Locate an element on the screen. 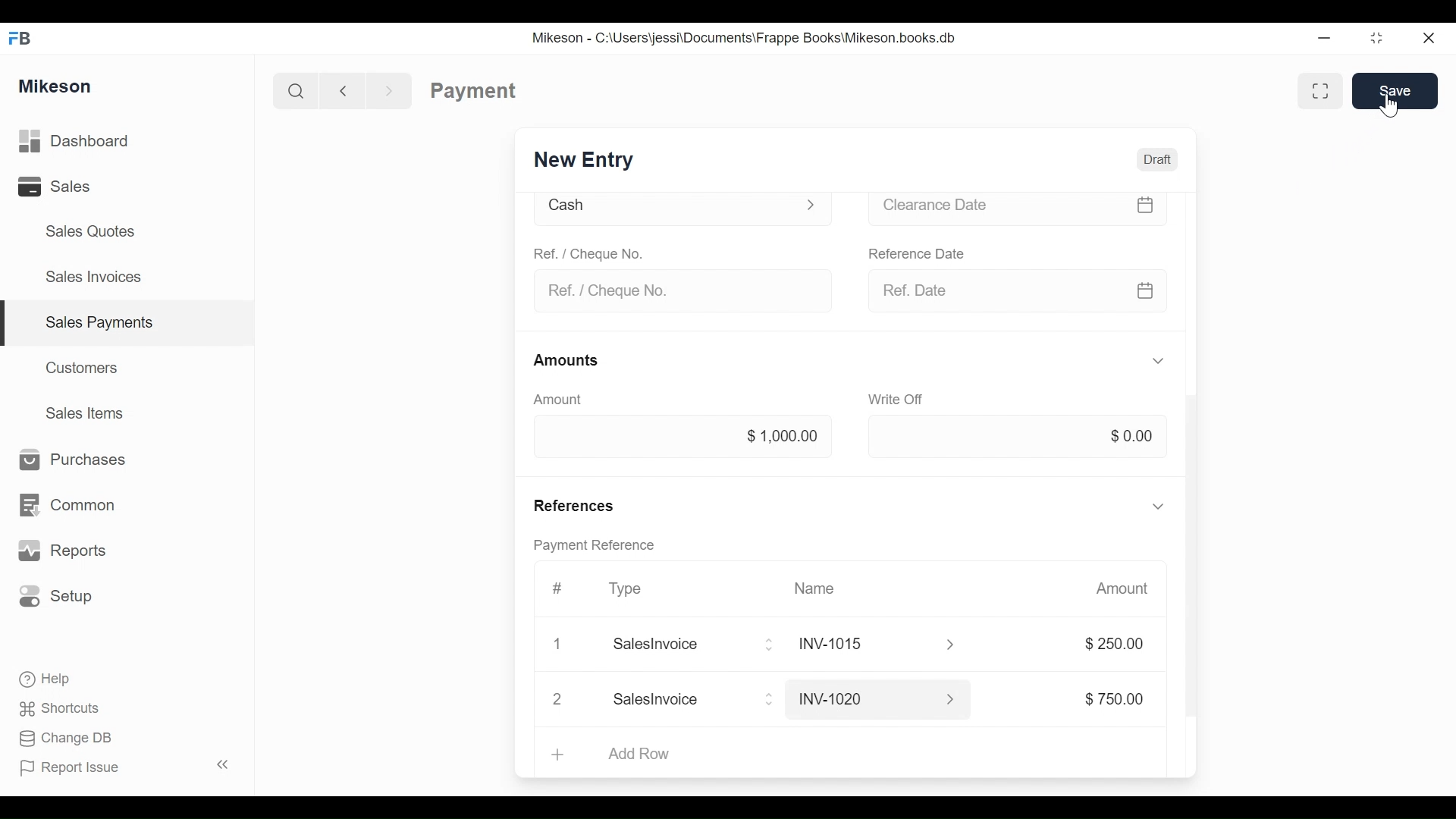  $1000.00 is located at coordinates (786, 438).